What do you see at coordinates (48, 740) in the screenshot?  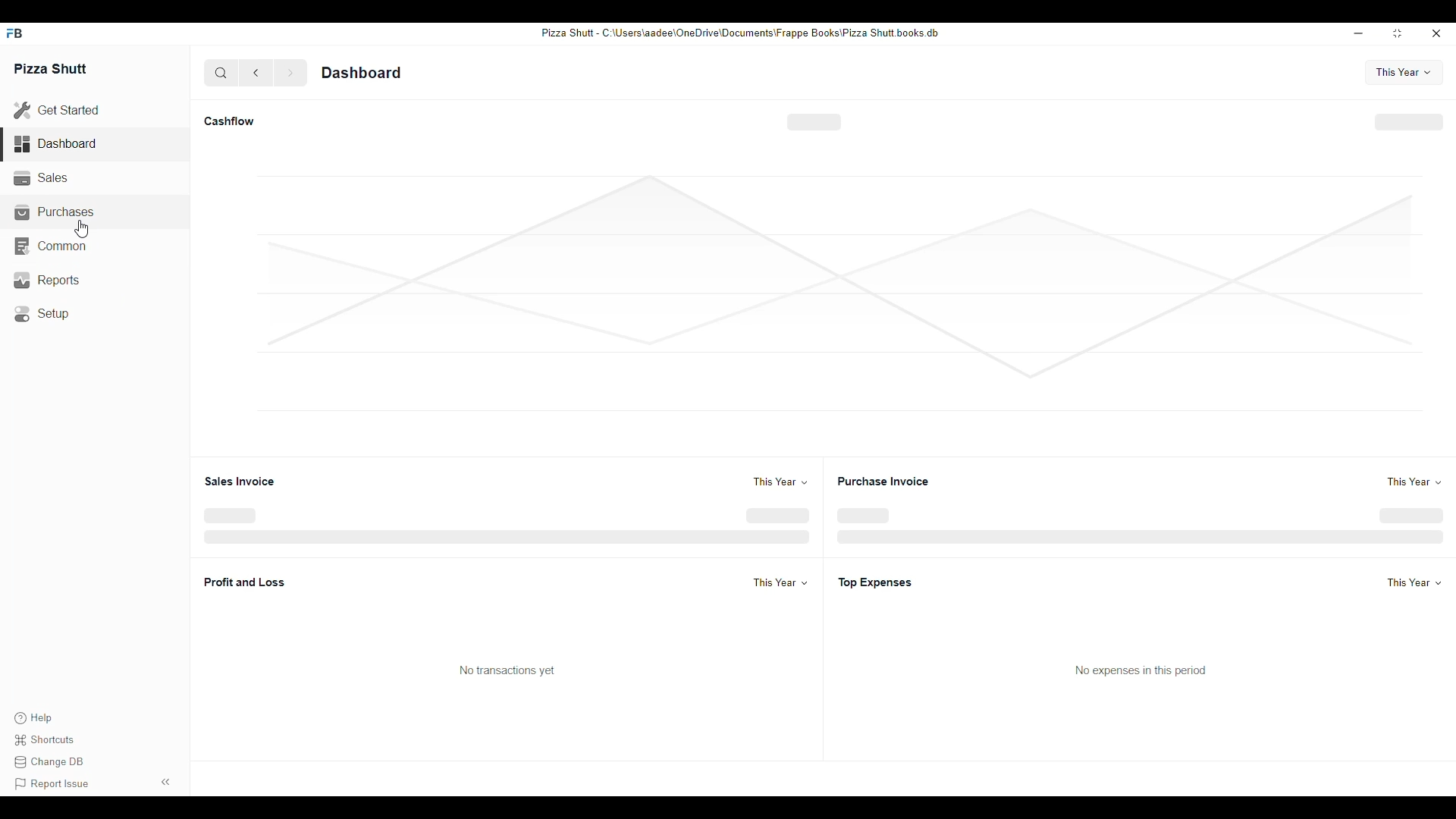 I see `Shortcuts` at bounding box center [48, 740].